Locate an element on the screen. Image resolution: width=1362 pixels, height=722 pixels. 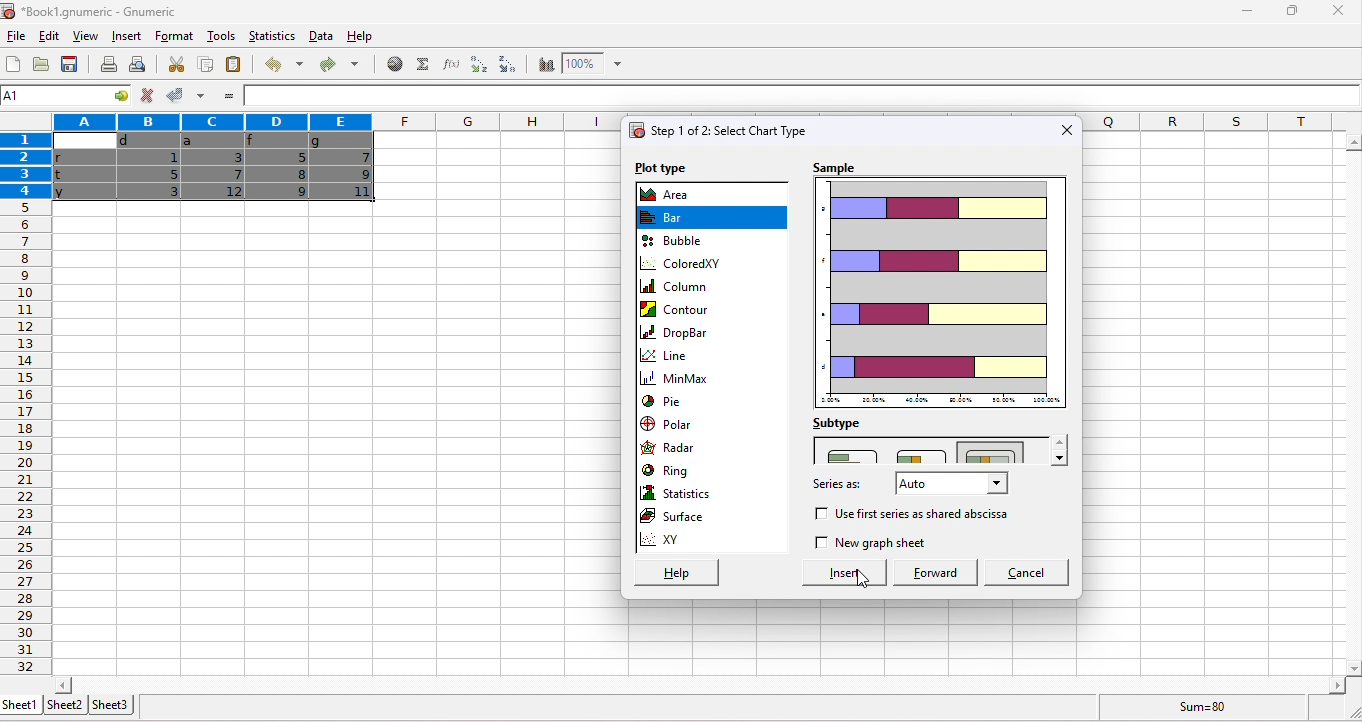
polar is located at coordinates (677, 425).